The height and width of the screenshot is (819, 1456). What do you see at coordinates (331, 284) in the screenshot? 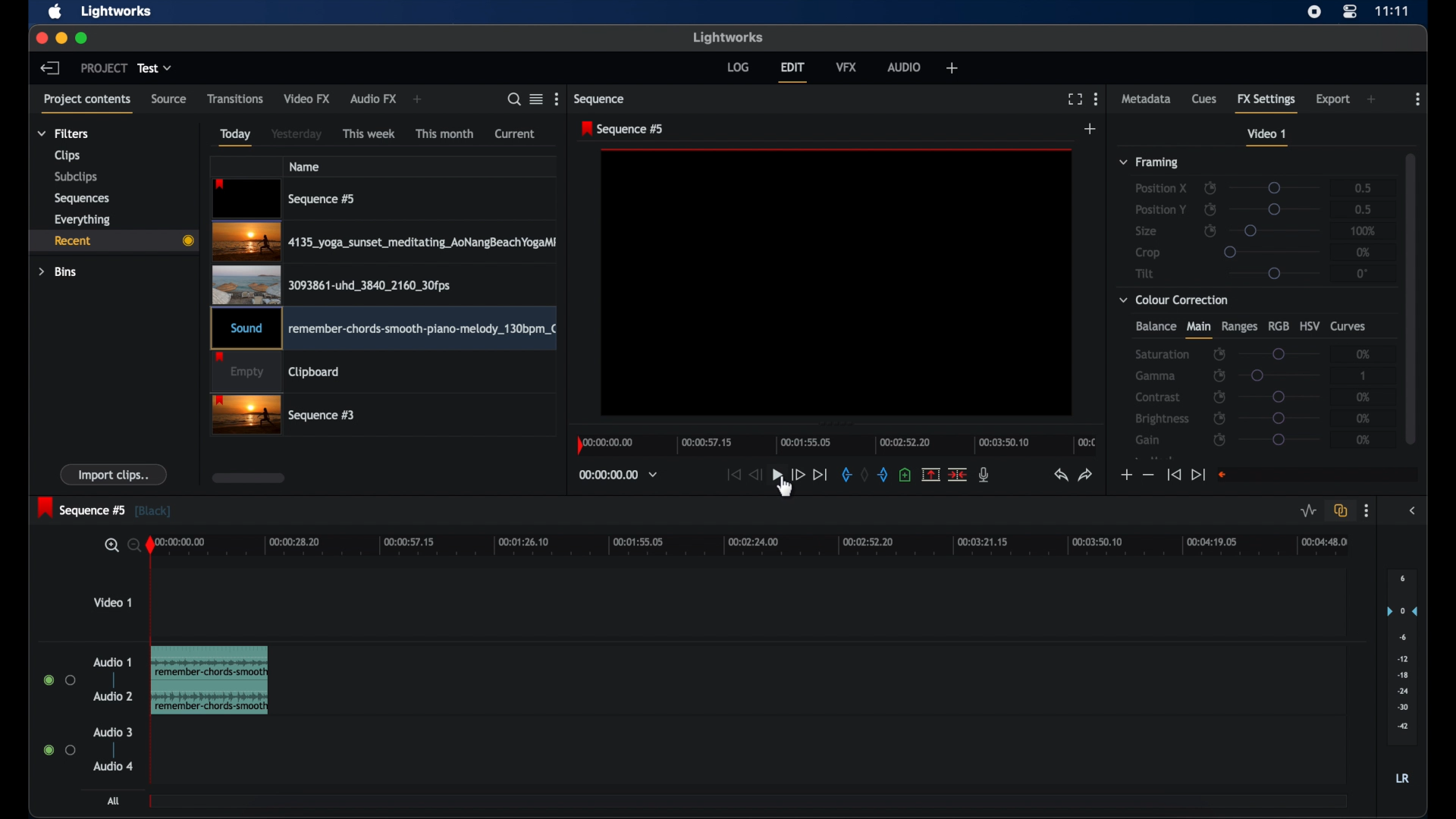
I see `video clip` at bounding box center [331, 284].